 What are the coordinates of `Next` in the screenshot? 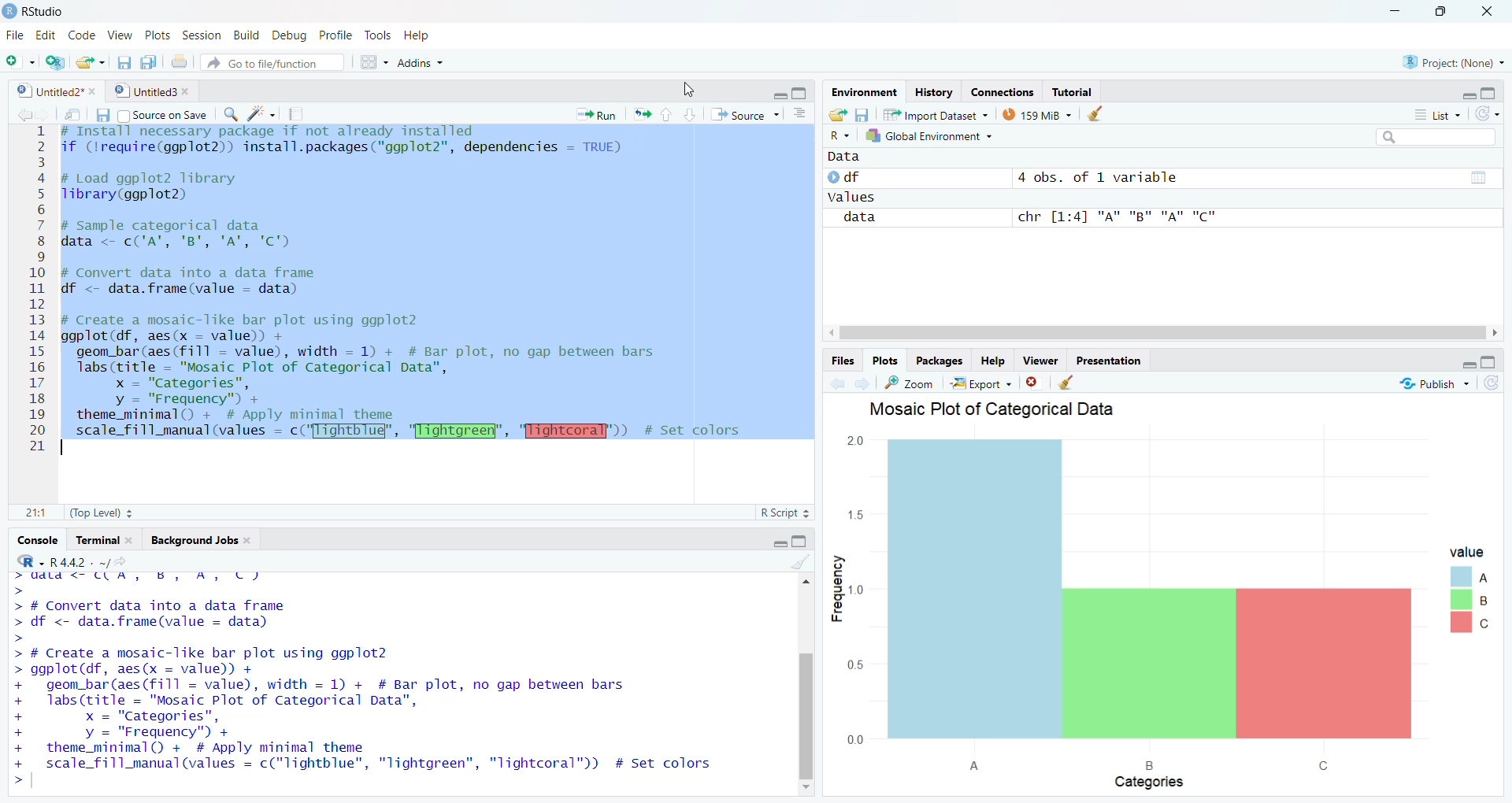 It's located at (45, 115).